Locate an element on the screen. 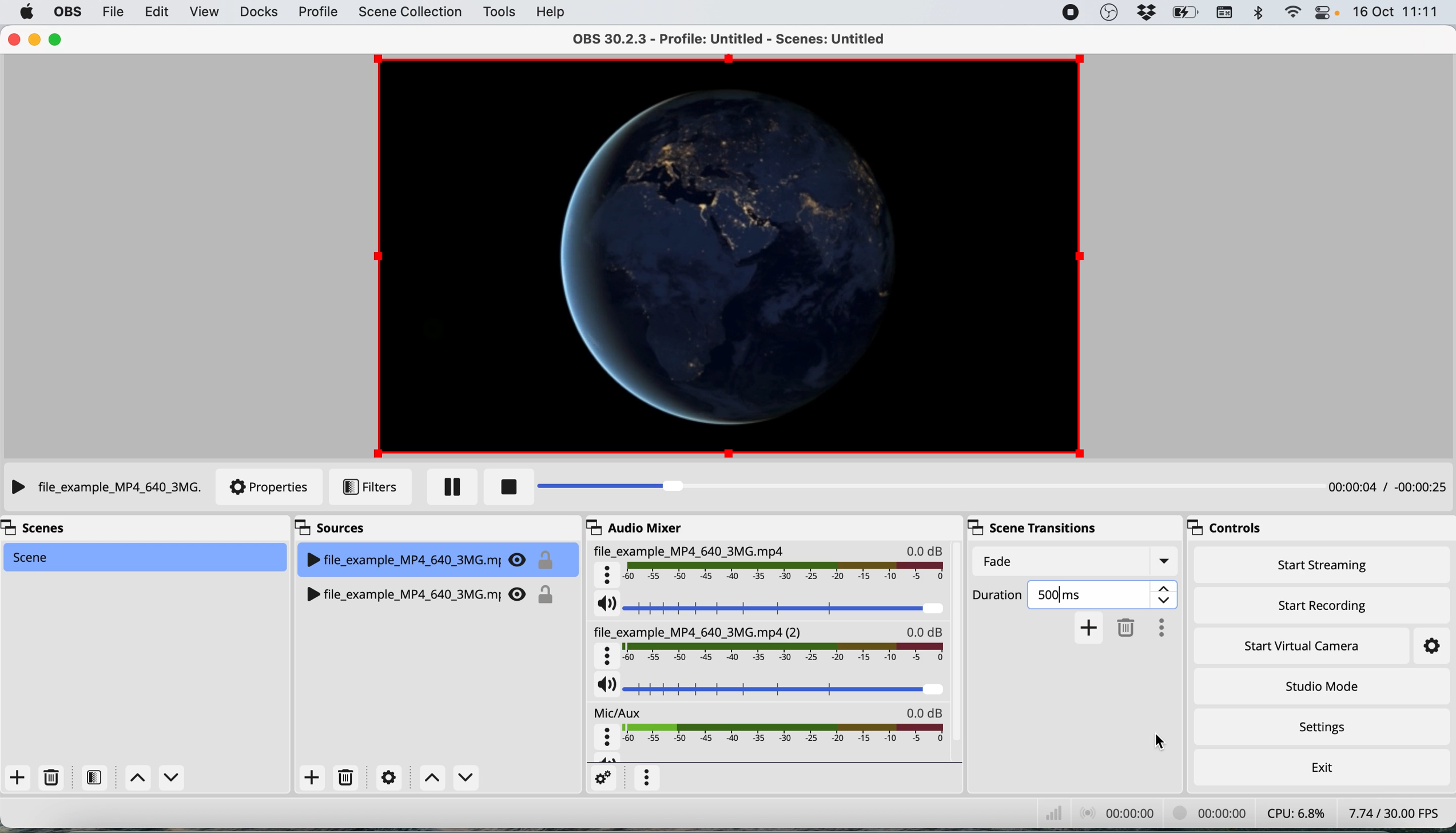 The height and width of the screenshot is (833, 1456). maximise is located at coordinates (56, 41).